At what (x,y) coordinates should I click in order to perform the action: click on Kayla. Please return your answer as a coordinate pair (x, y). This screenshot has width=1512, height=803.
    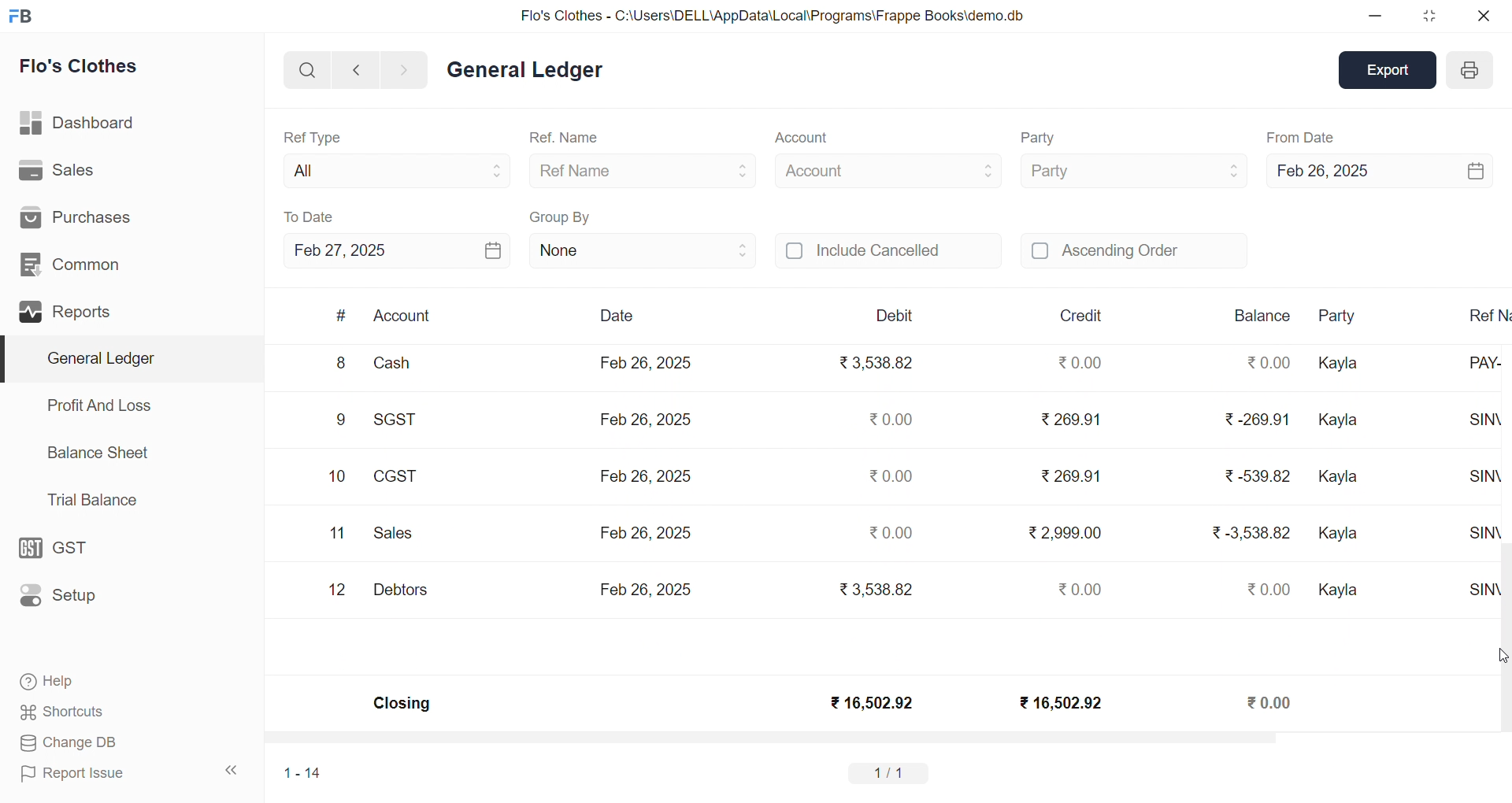
    Looking at the image, I should click on (1341, 364).